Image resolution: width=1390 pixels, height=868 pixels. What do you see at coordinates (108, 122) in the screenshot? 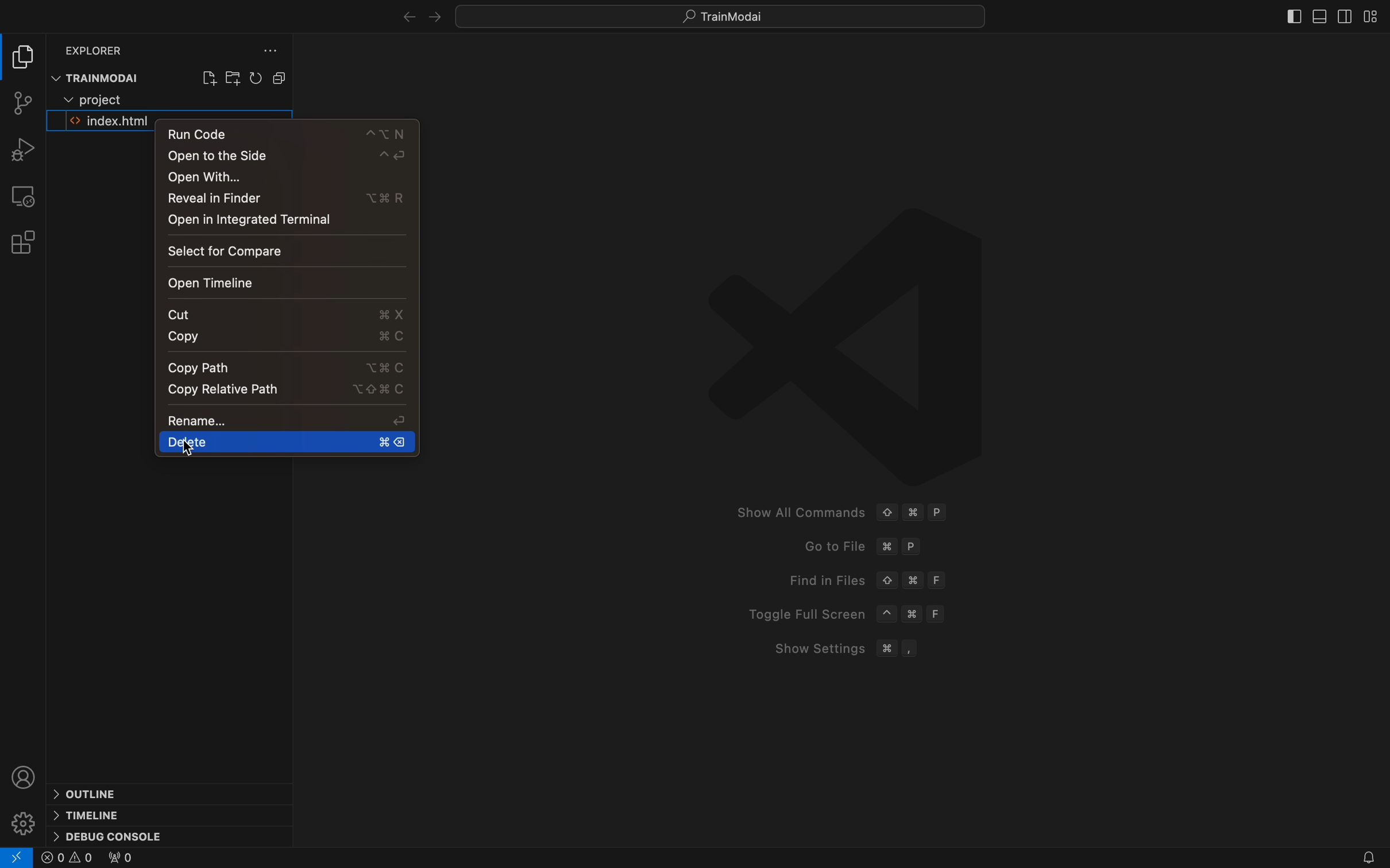
I see `file` at bounding box center [108, 122].